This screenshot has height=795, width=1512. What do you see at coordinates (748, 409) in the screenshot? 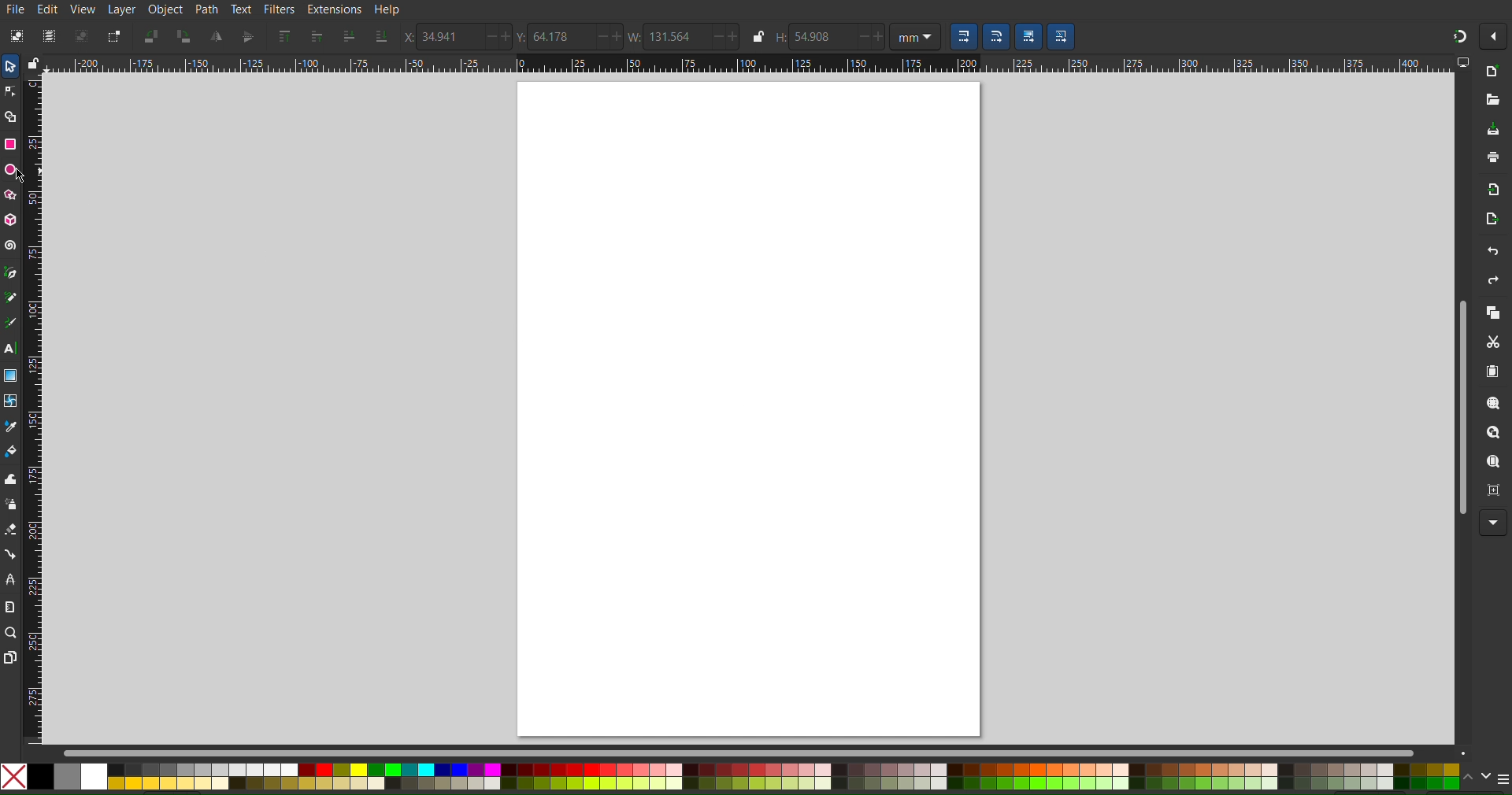
I see `canvas` at bounding box center [748, 409].